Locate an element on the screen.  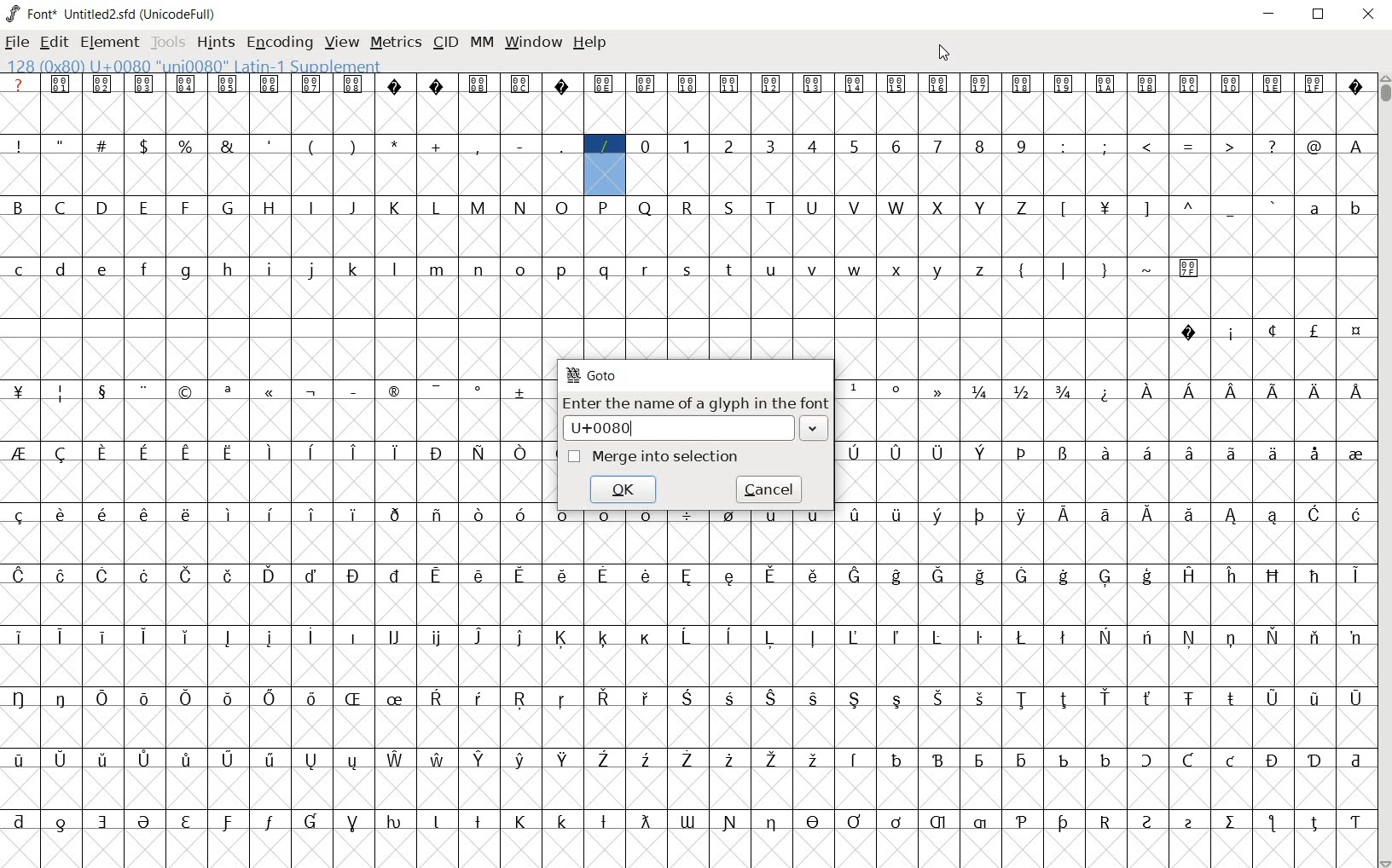
glyph is located at coordinates (61, 454).